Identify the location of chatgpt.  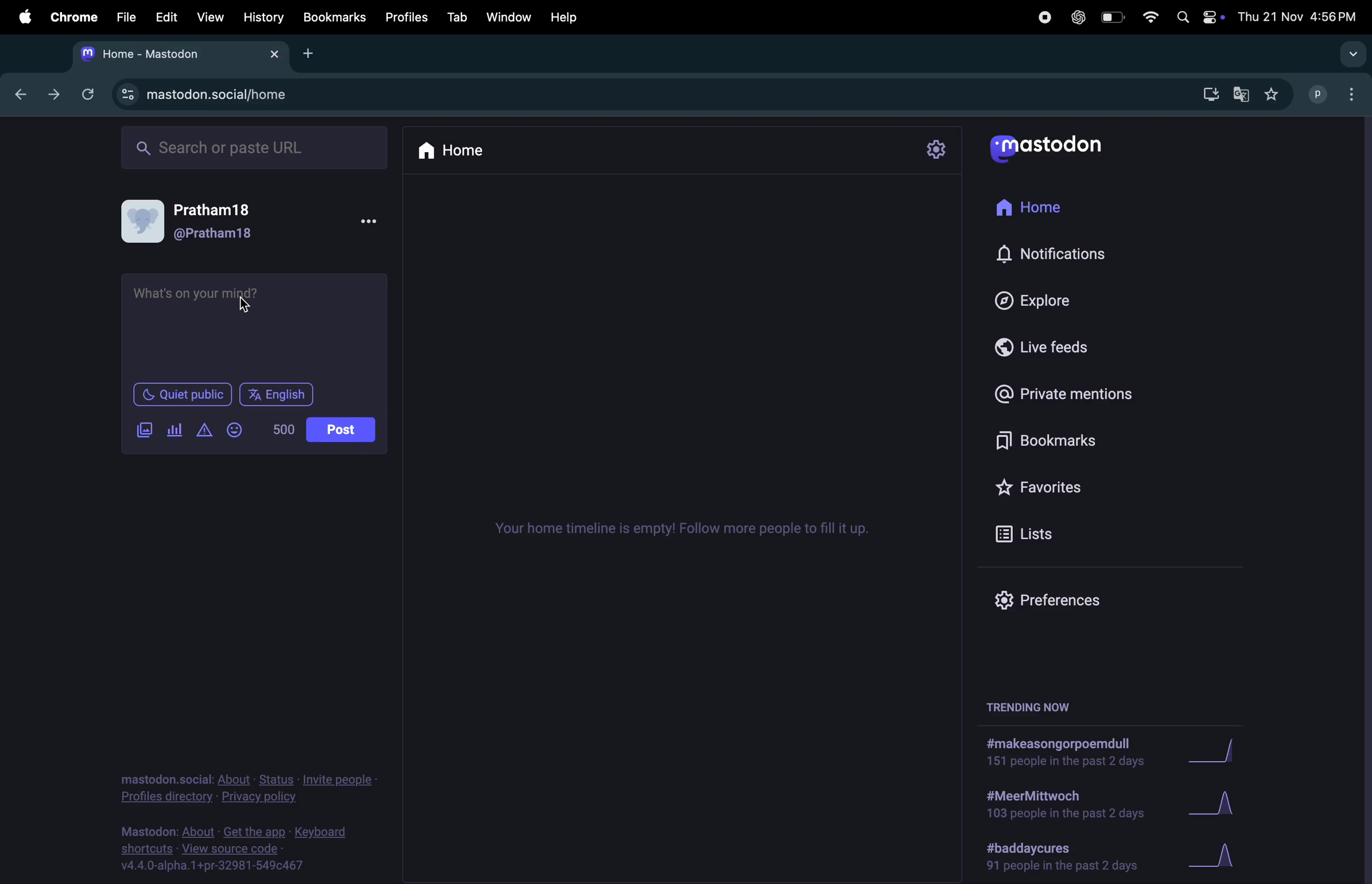
(1075, 17).